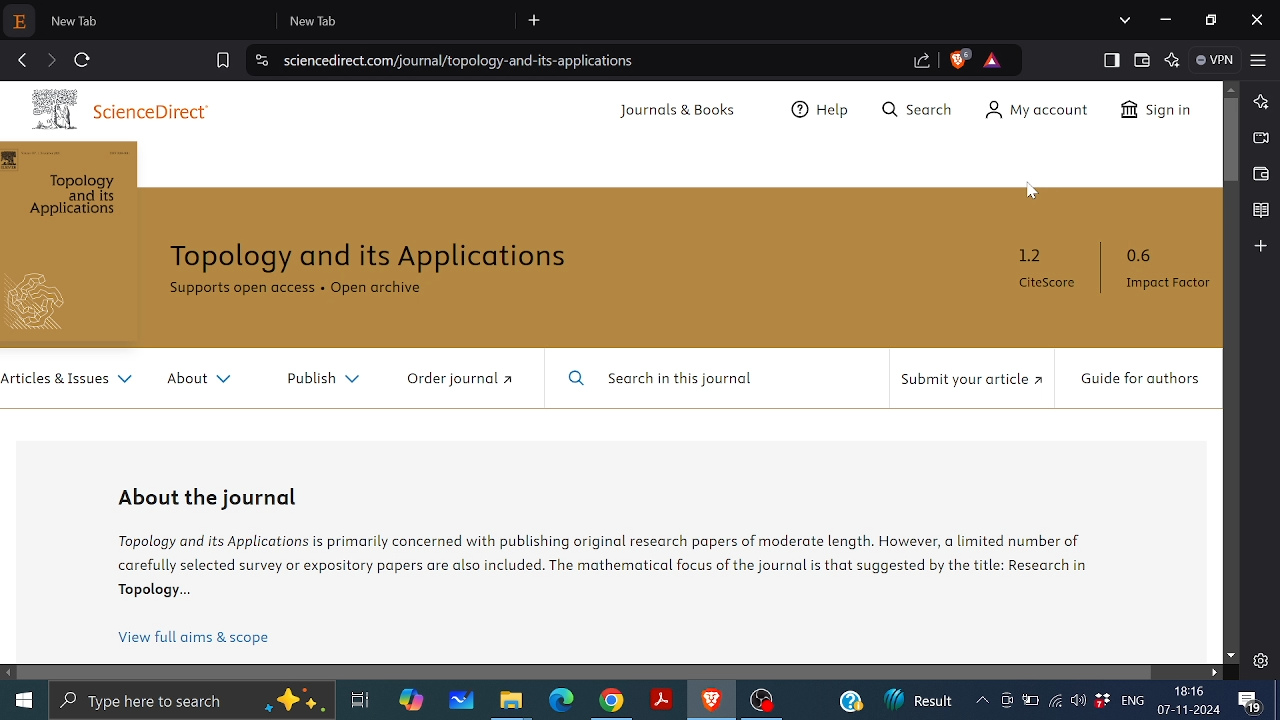 Image resolution: width=1280 pixels, height=720 pixels. Describe the element at coordinates (662, 697) in the screenshot. I see `Adobe reader` at that location.